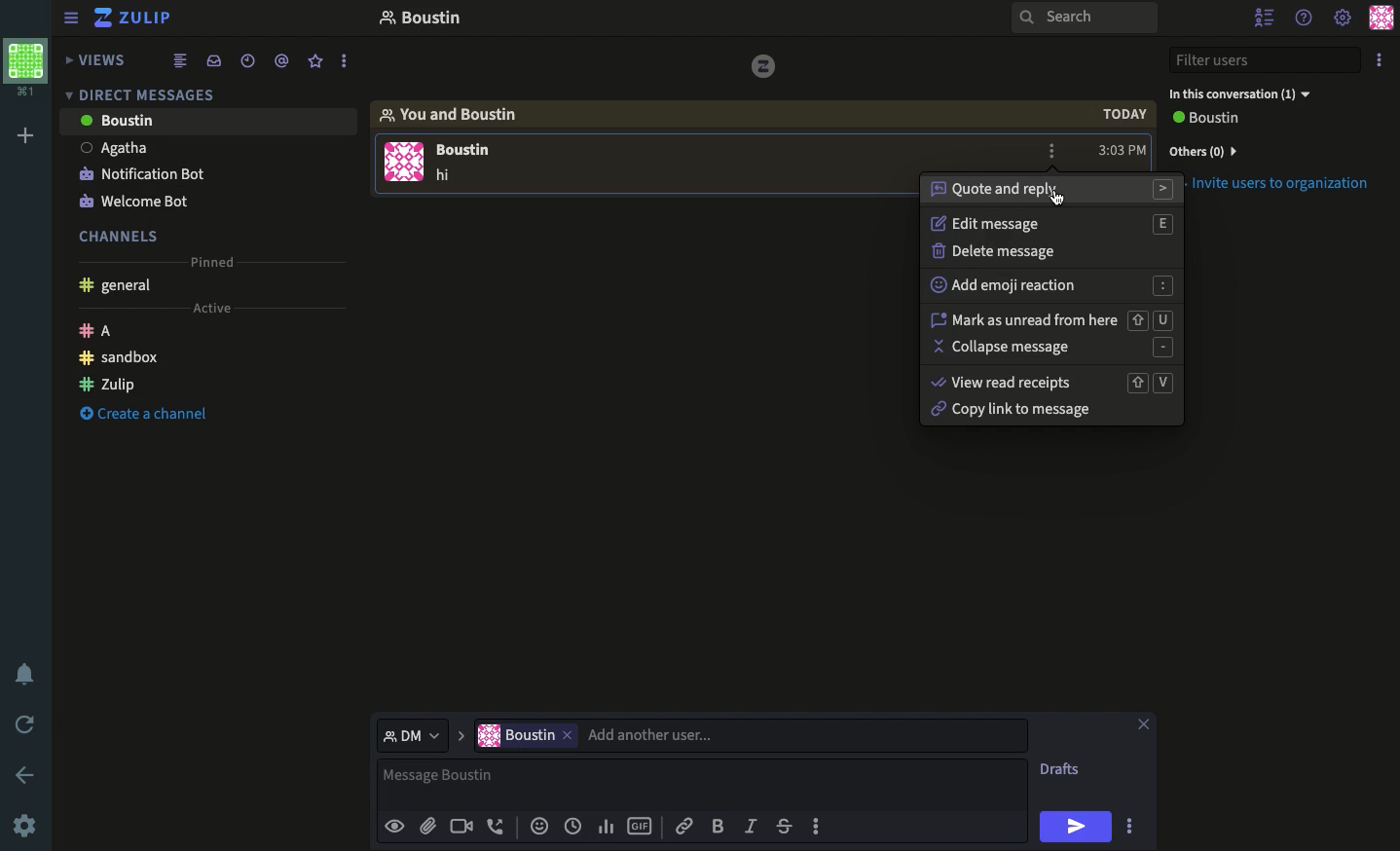 The height and width of the screenshot is (851, 1400). I want to click on You and user, so click(458, 114).